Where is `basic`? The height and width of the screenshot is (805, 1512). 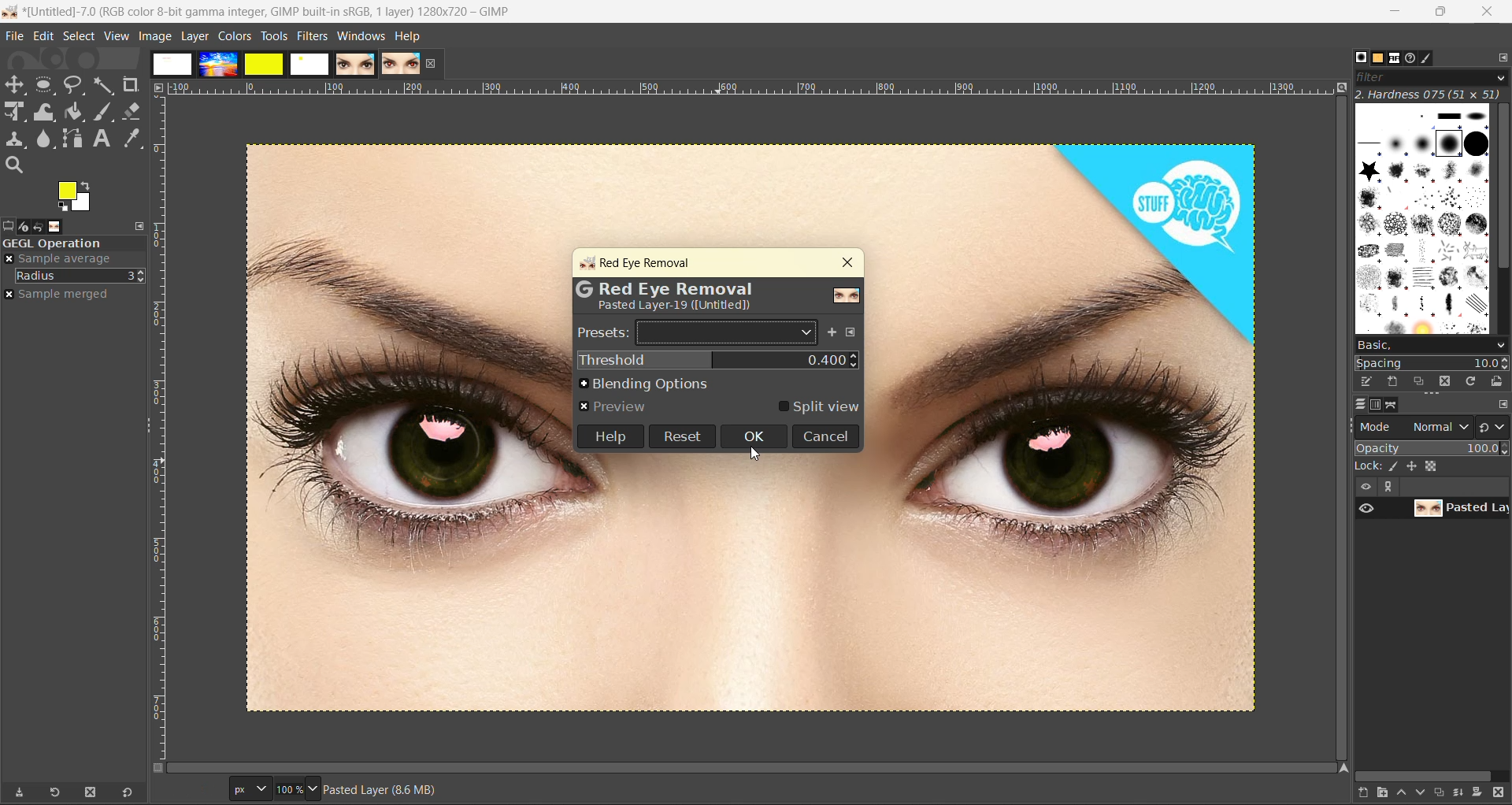 basic is located at coordinates (1433, 347).